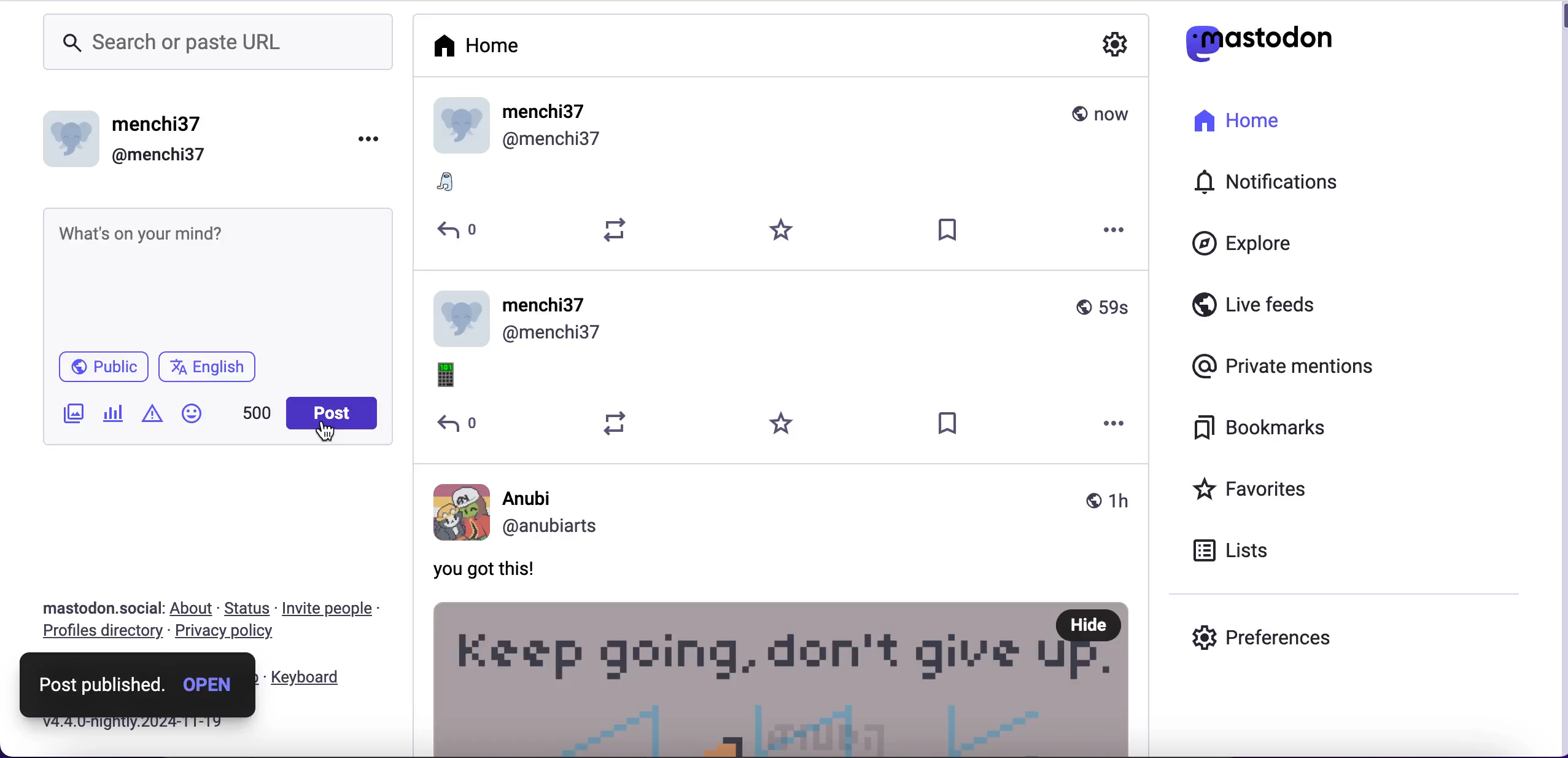  I want to click on emoji, so click(456, 184).